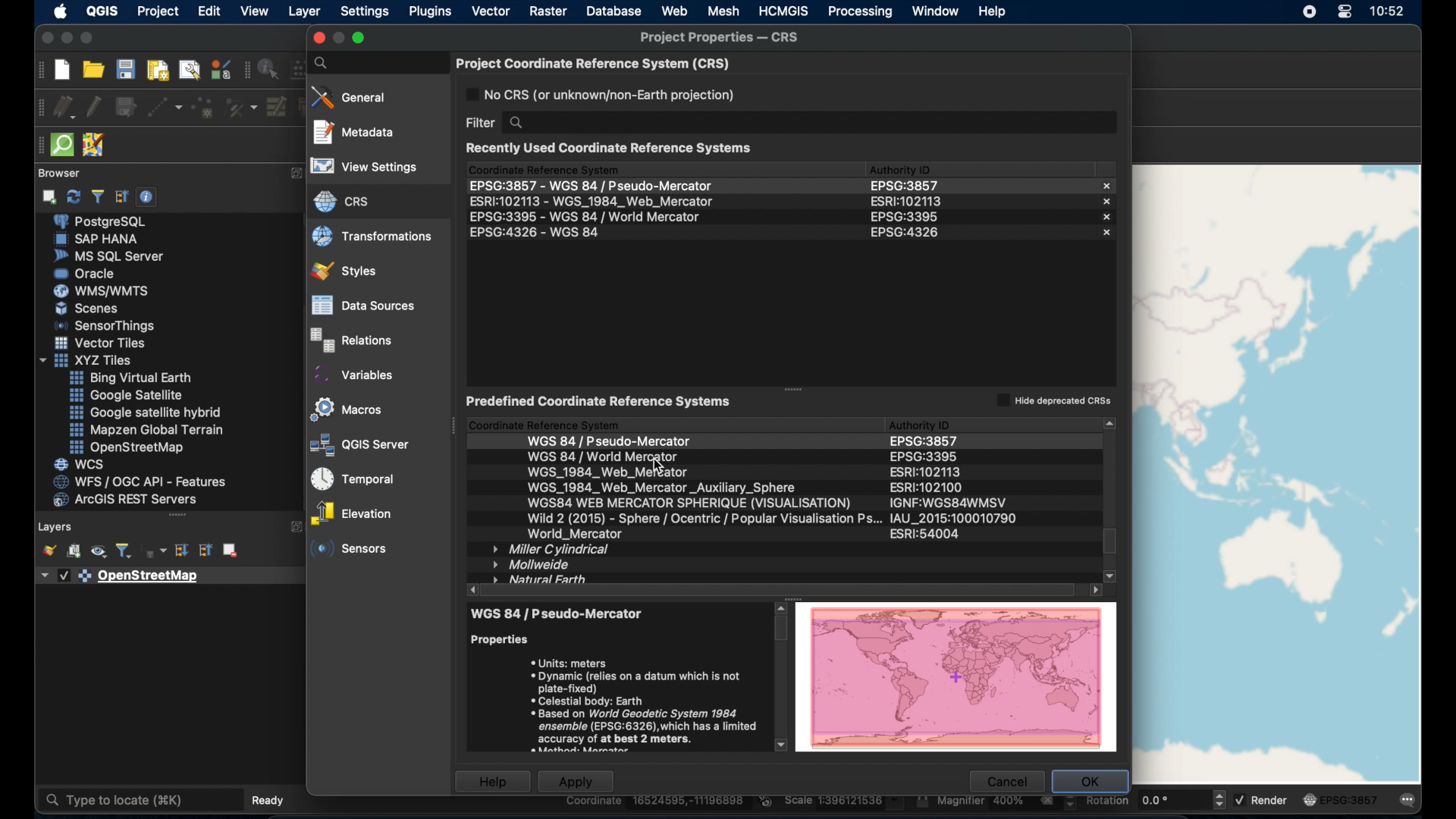  What do you see at coordinates (362, 303) in the screenshot?
I see `data sources` at bounding box center [362, 303].